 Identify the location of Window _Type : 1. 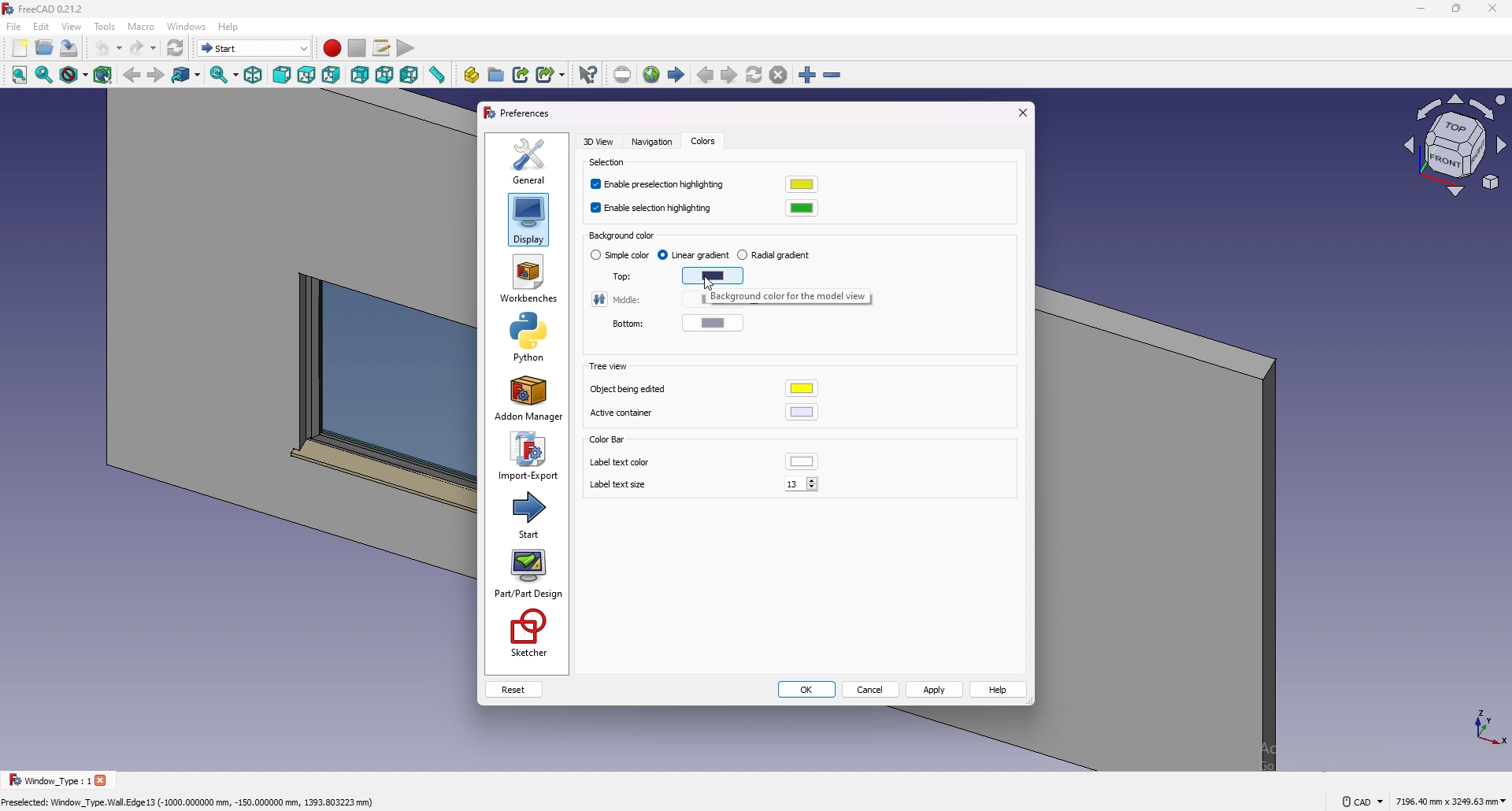
(47, 780).